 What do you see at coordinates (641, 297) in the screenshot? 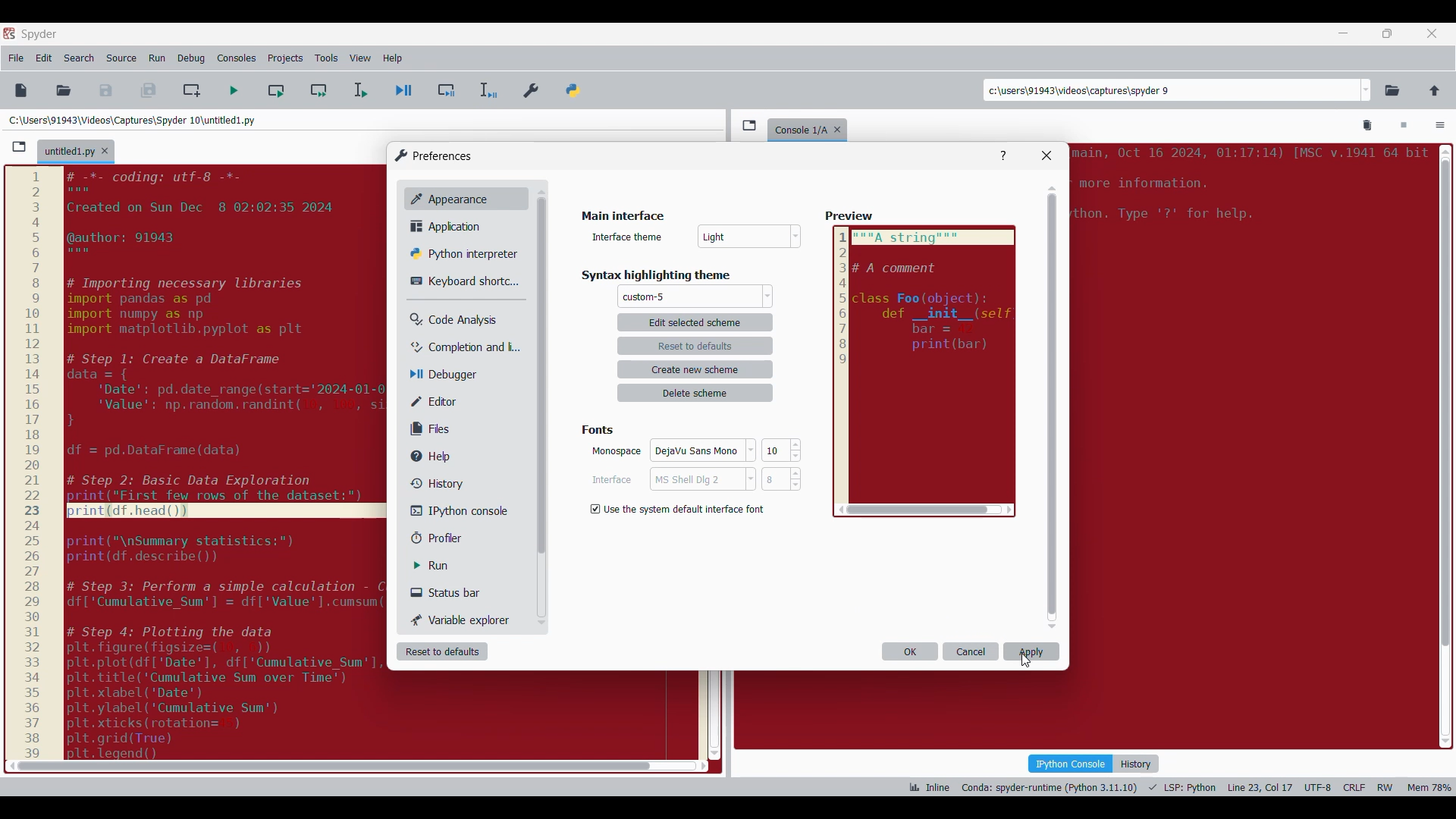
I see `` at bounding box center [641, 297].